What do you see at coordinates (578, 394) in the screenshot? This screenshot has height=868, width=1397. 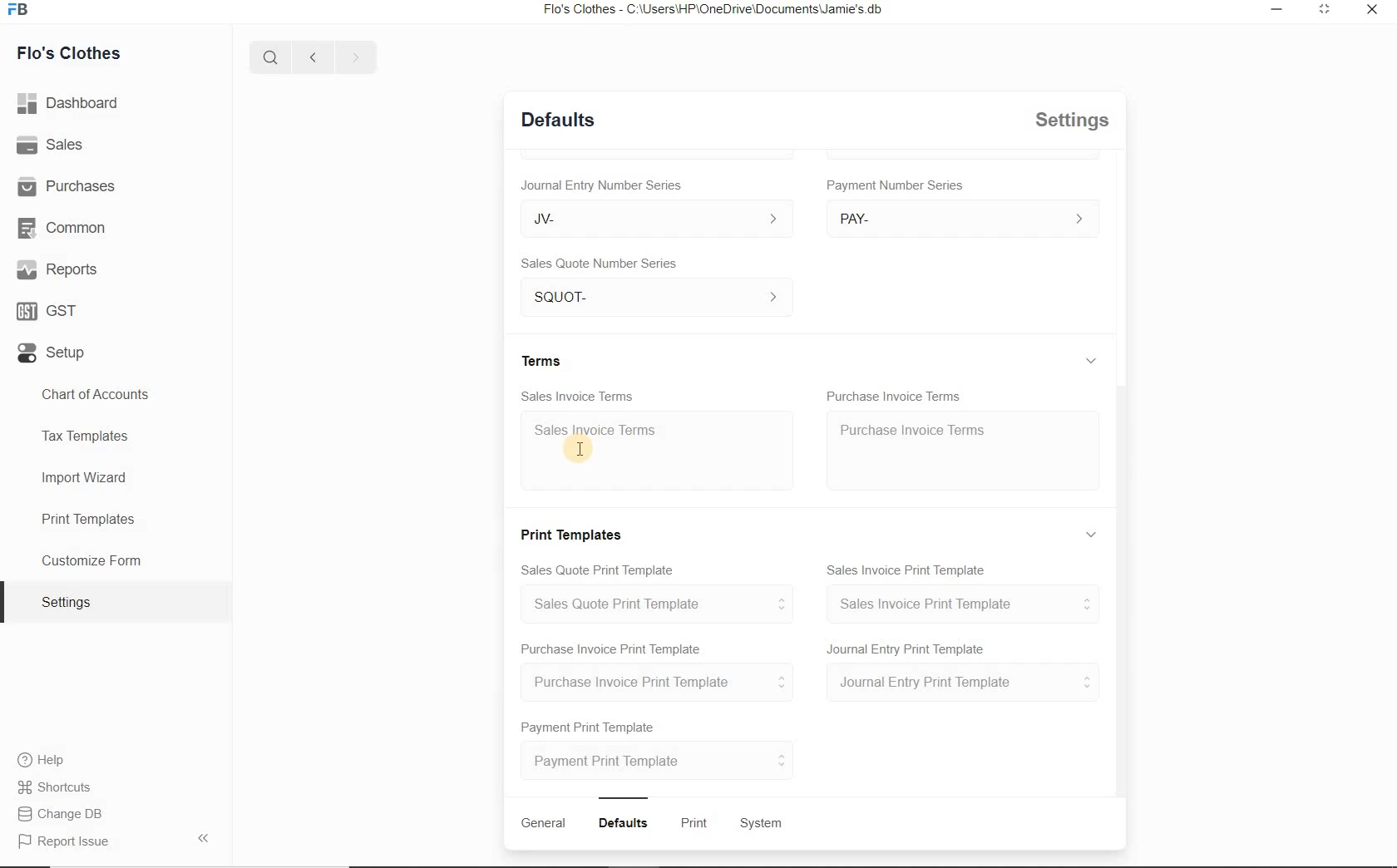 I see `Sales Invoice Terms` at bounding box center [578, 394].